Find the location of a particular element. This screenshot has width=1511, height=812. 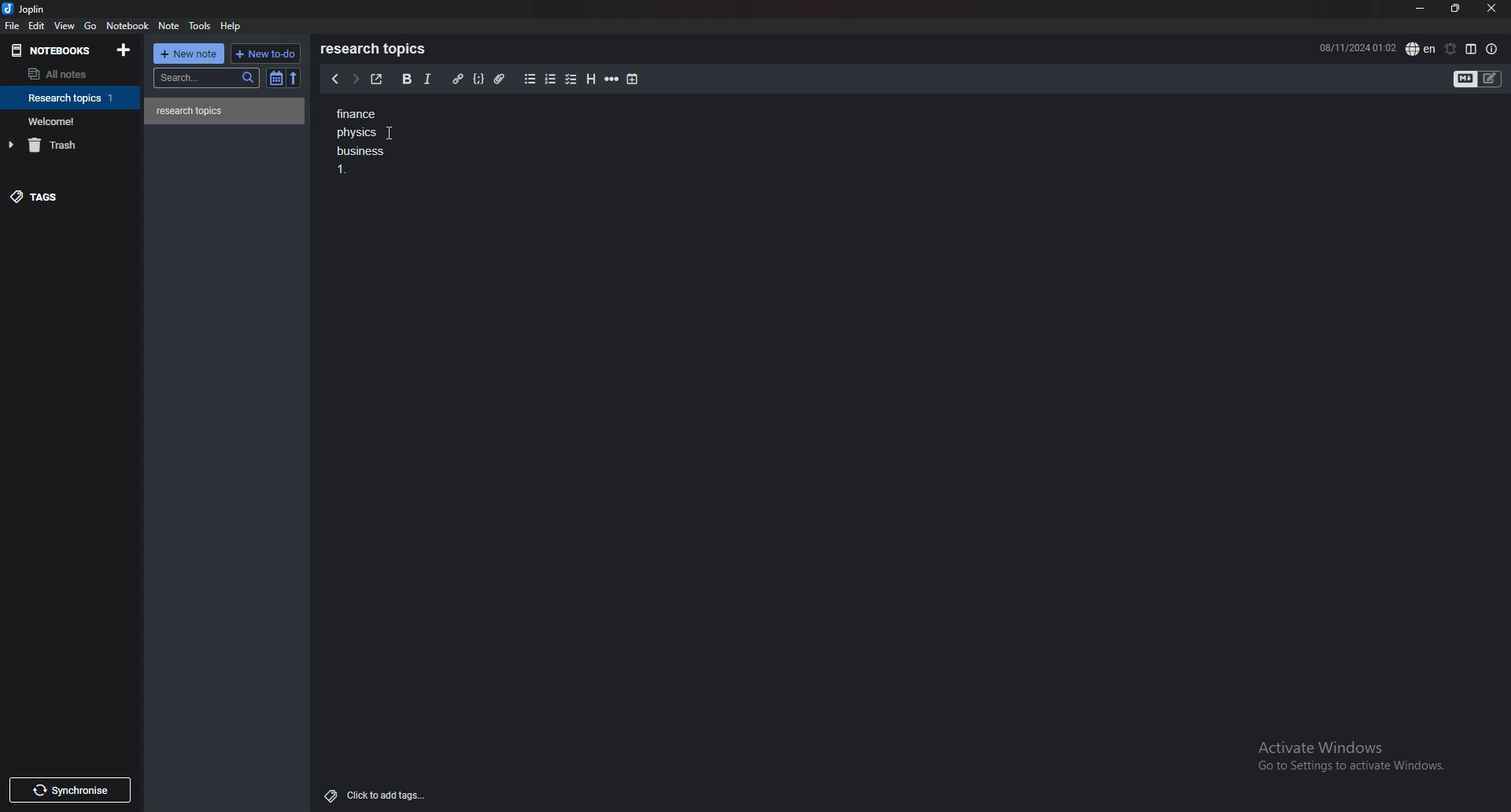

notebooks is located at coordinates (54, 50).